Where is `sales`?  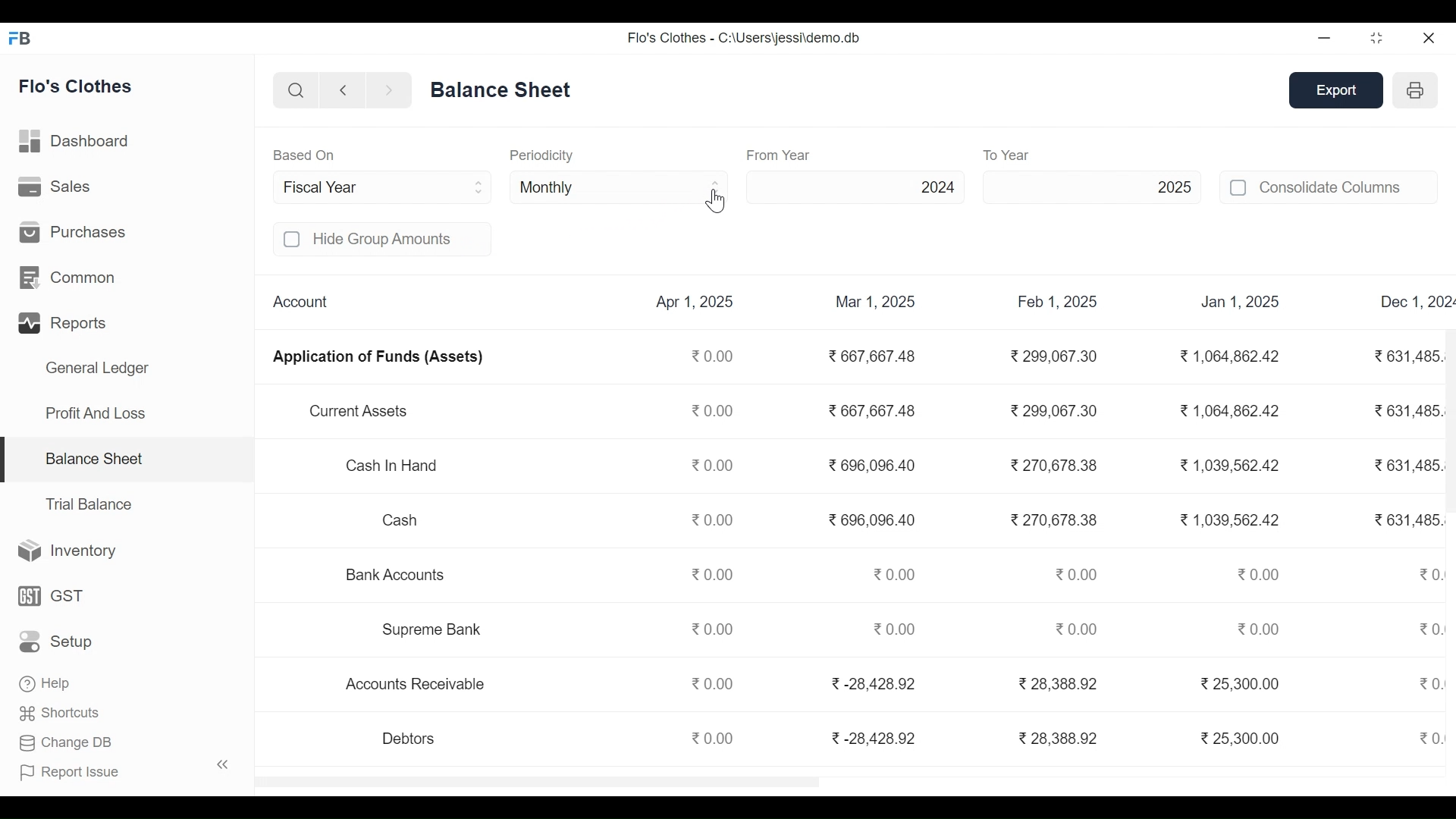
sales is located at coordinates (57, 187).